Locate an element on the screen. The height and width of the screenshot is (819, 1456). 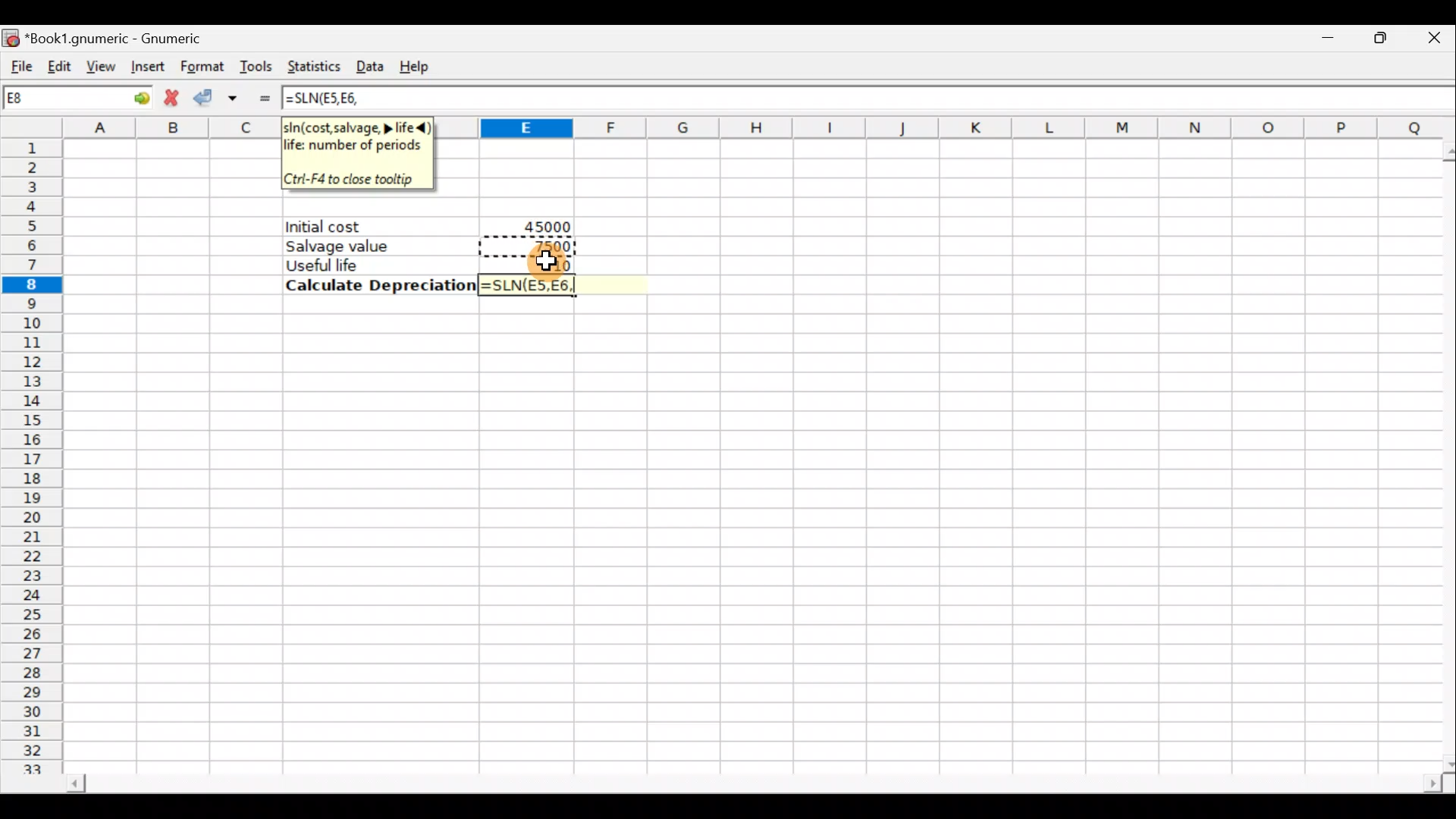
=SLN(E5,E6, is located at coordinates (331, 99).